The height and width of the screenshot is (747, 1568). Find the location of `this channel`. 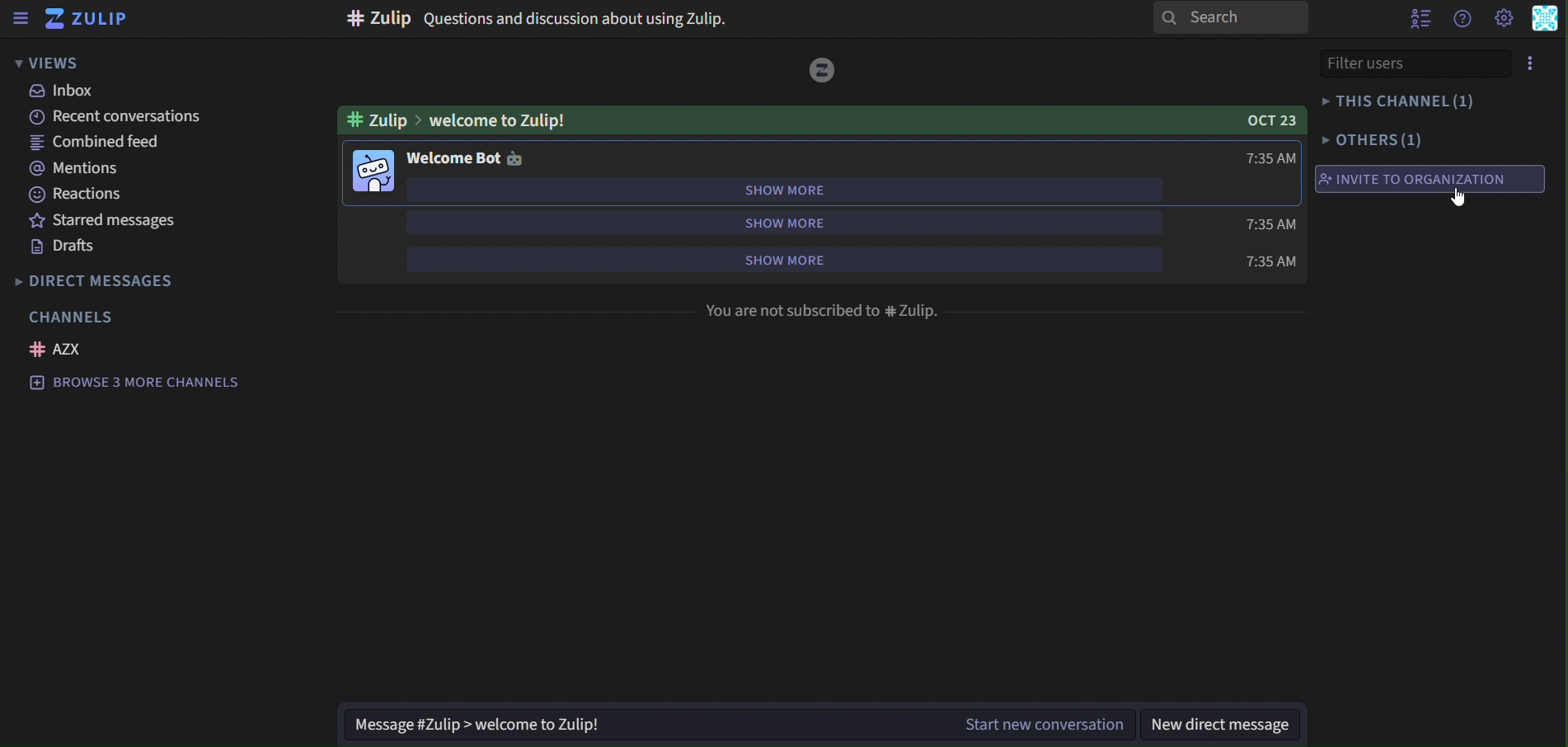

this channel is located at coordinates (1400, 103).